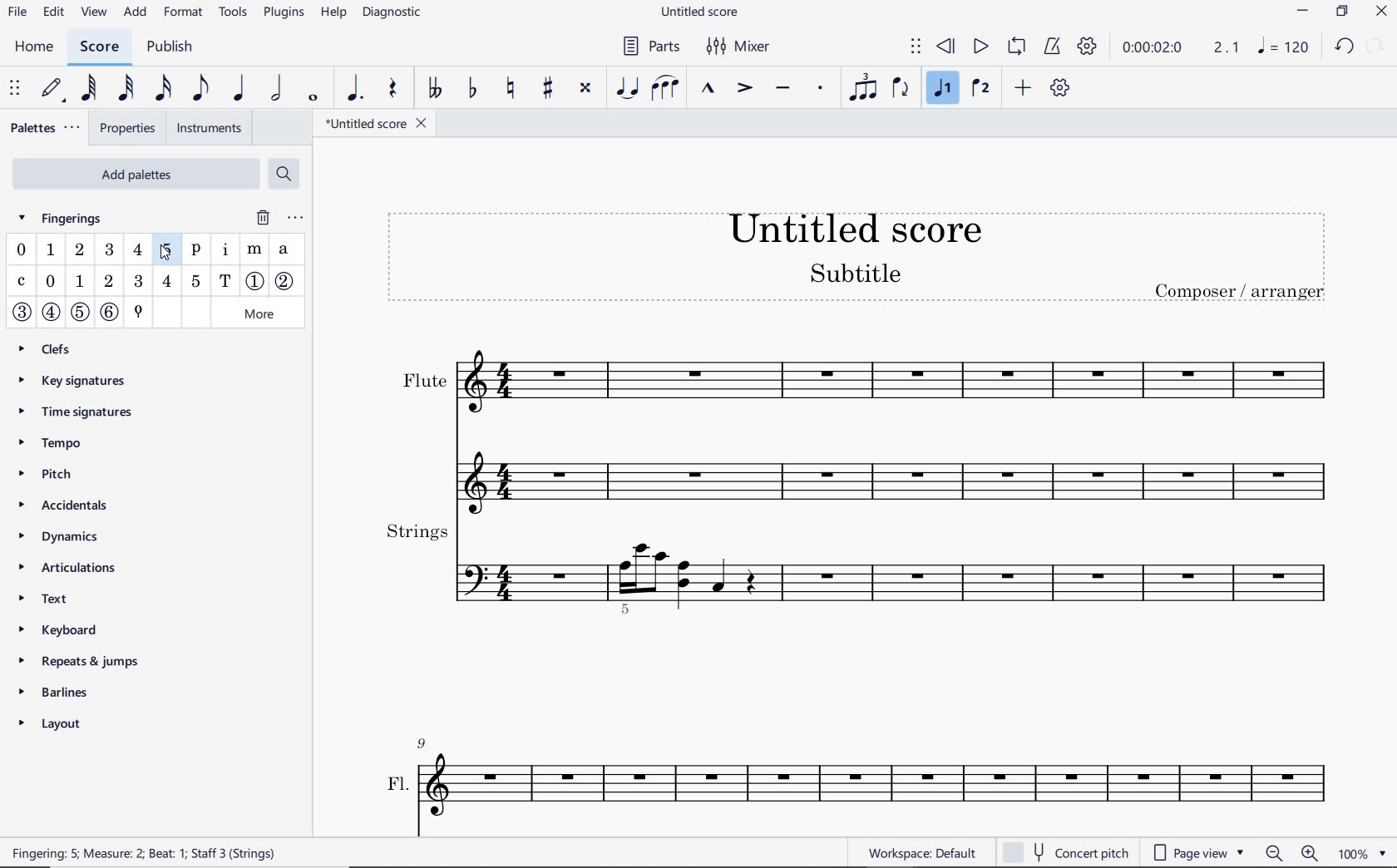 Image resolution: width=1397 pixels, height=868 pixels. What do you see at coordinates (1283, 48) in the screenshot?
I see `NOTE` at bounding box center [1283, 48].